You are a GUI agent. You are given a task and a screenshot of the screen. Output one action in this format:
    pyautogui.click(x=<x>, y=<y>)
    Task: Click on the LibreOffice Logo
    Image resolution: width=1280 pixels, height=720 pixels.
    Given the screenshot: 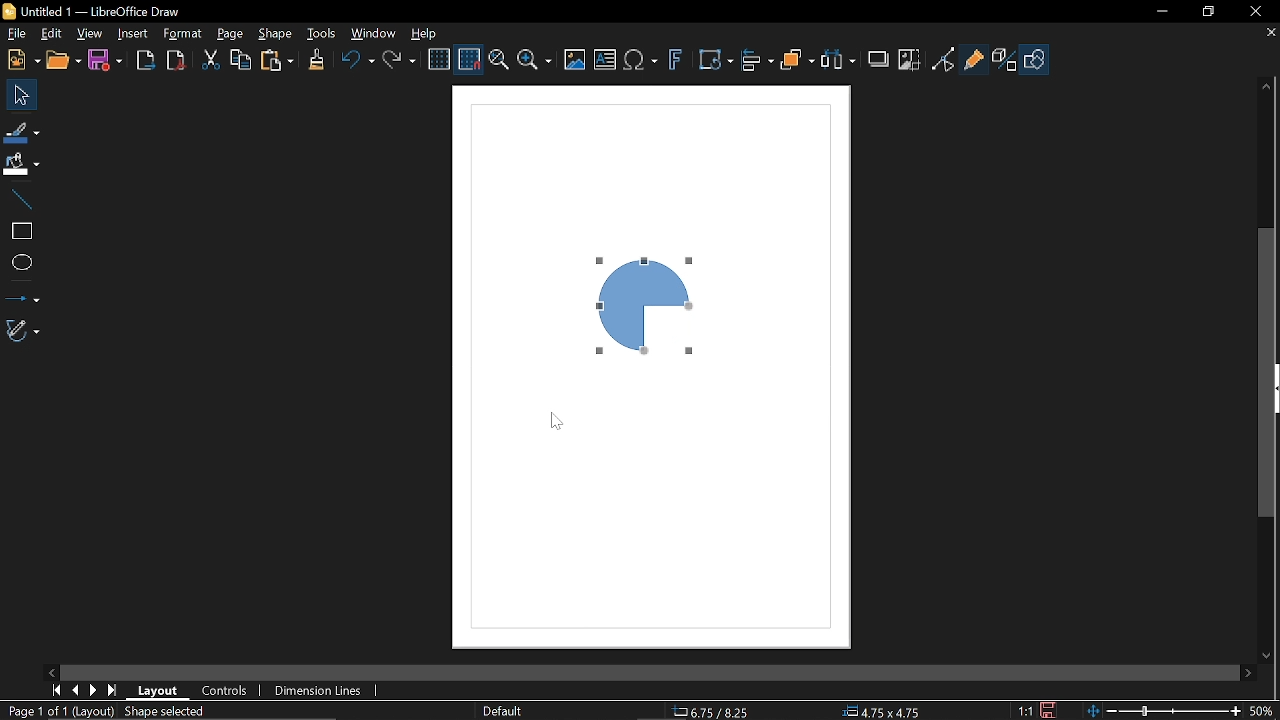 What is the action you would take?
    pyautogui.click(x=10, y=11)
    